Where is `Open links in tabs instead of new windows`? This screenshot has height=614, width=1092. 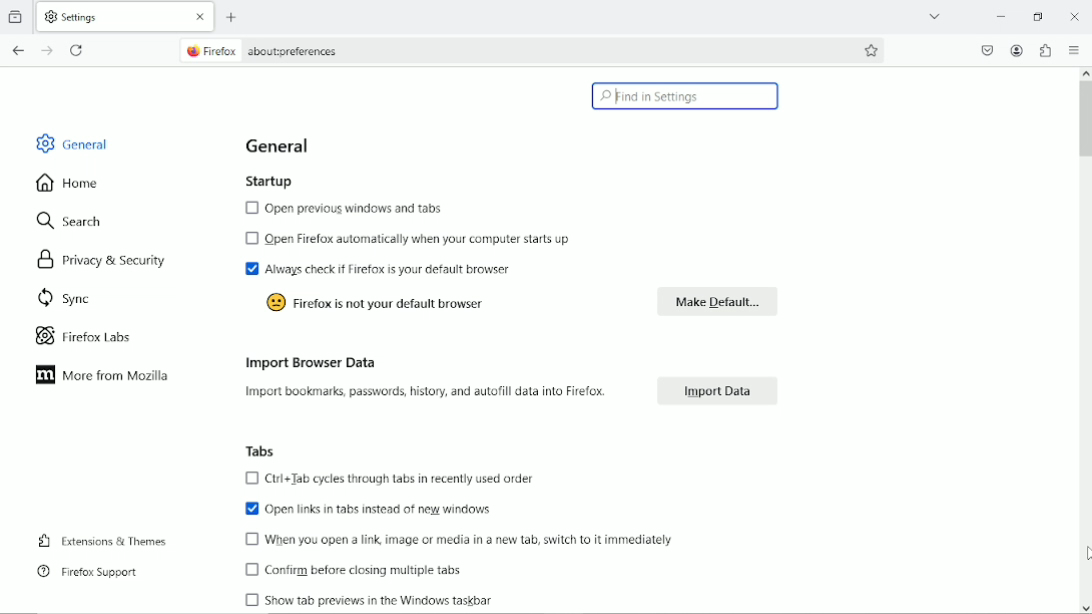
Open links in tabs instead of new windows is located at coordinates (372, 509).